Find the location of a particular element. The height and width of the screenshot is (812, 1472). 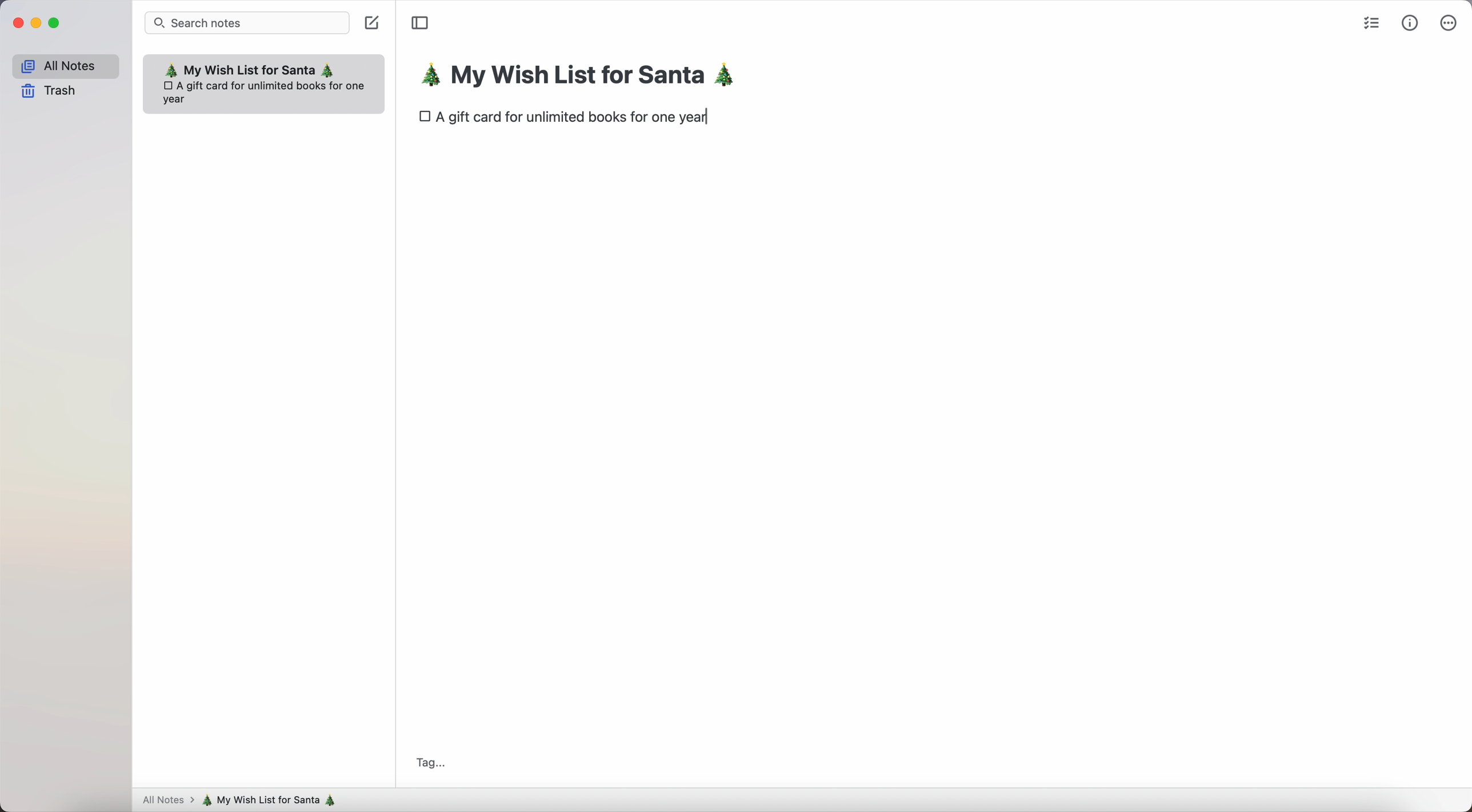

Tag... is located at coordinates (429, 761).